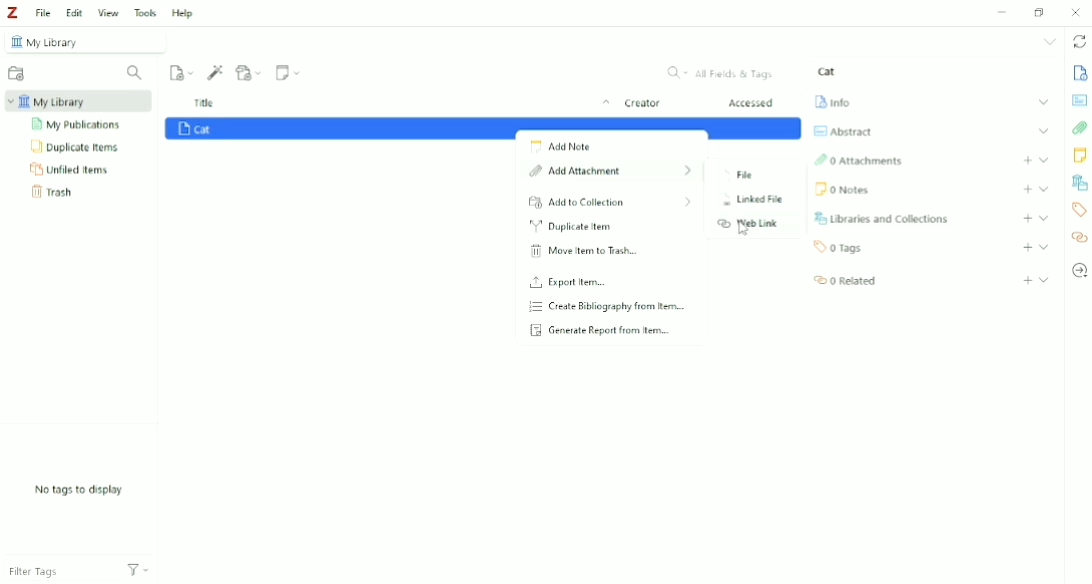 The width and height of the screenshot is (1092, 584). What do you see at coordinates (573, 227) in the screenshot?
I see `Duplicate Item` at bounding box center [573, 227].